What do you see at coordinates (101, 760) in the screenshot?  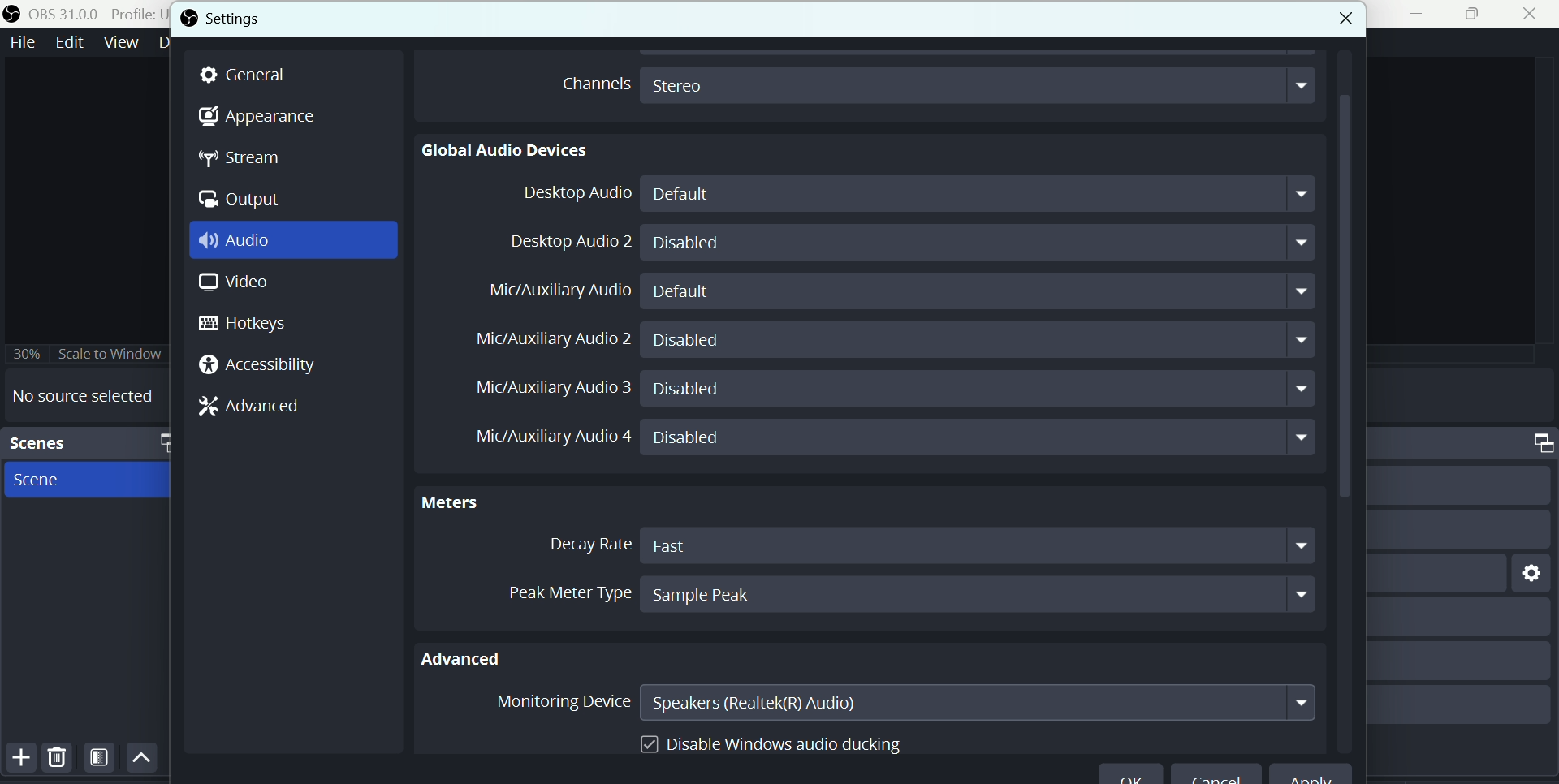 I see `Filter` at bounding box center [101, 760].